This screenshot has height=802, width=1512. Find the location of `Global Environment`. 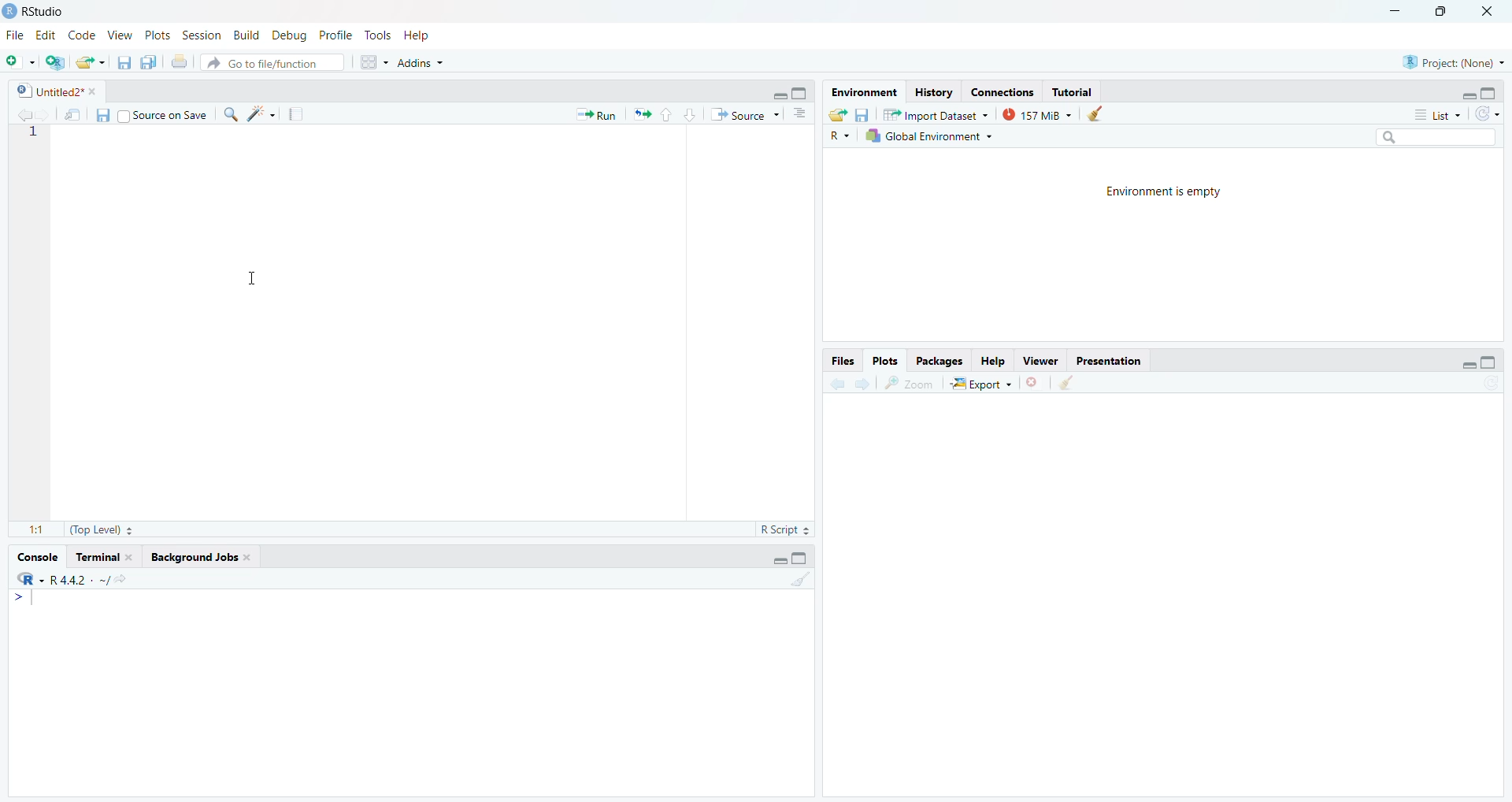

Global Environment is located at coordinates (929, 136).